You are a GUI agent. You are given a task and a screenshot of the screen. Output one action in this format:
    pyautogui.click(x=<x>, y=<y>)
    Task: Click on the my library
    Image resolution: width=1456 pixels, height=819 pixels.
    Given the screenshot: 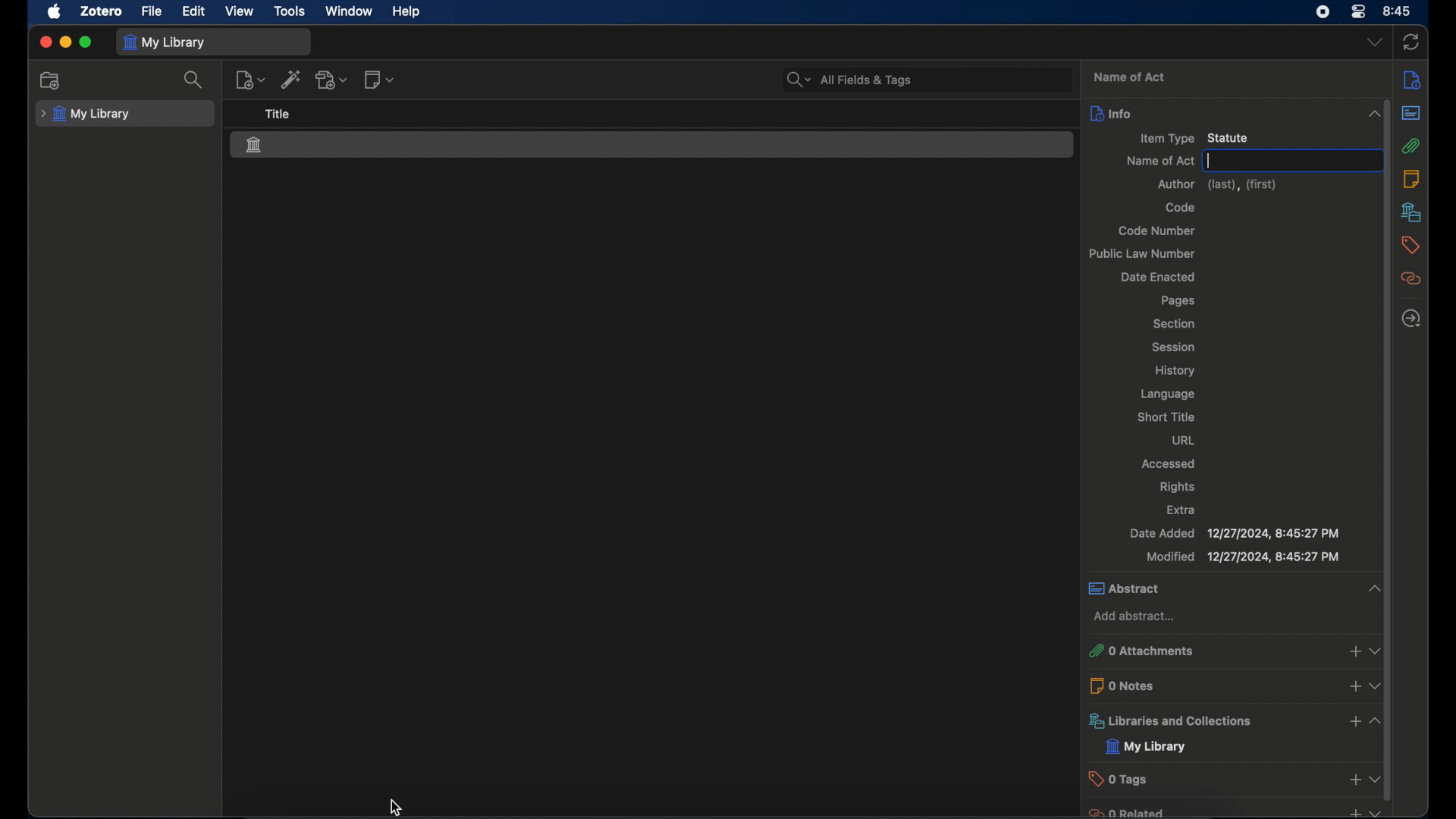 What is the action you would take?
    pyautogui.click(x=1146, y=747)
    